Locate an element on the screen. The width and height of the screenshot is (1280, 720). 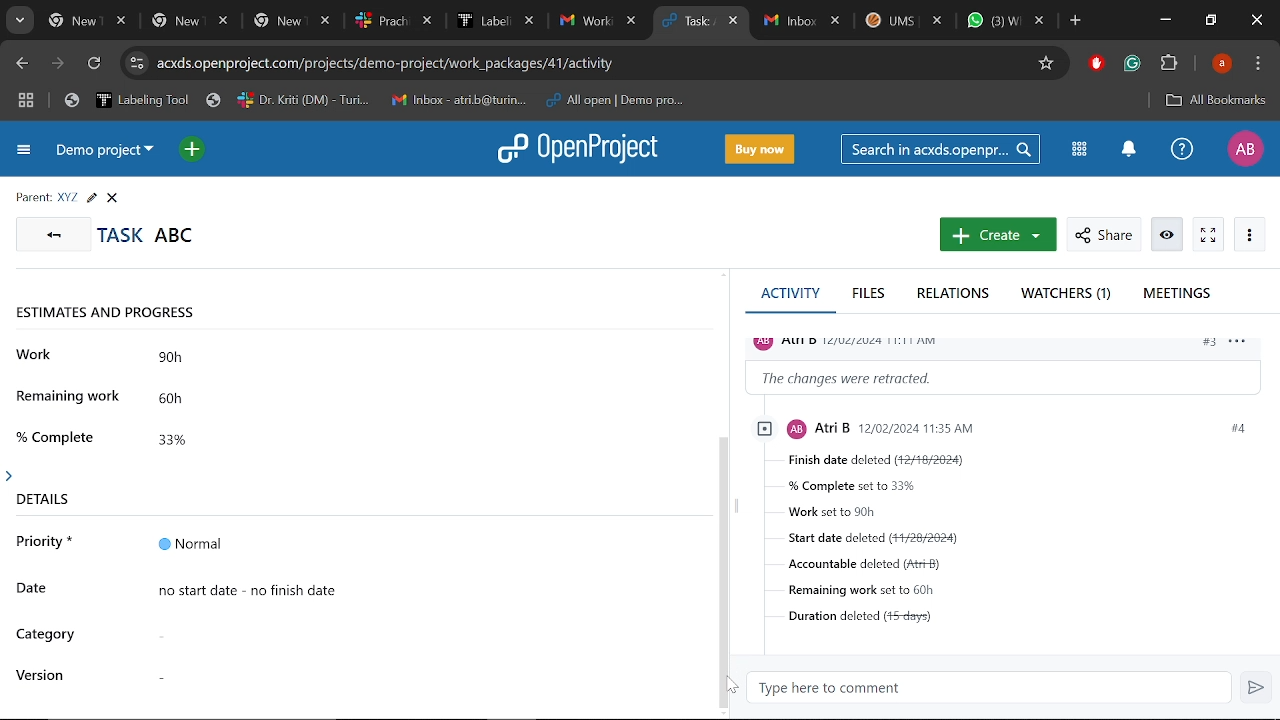
Activity is located at coordinates (789, 298).